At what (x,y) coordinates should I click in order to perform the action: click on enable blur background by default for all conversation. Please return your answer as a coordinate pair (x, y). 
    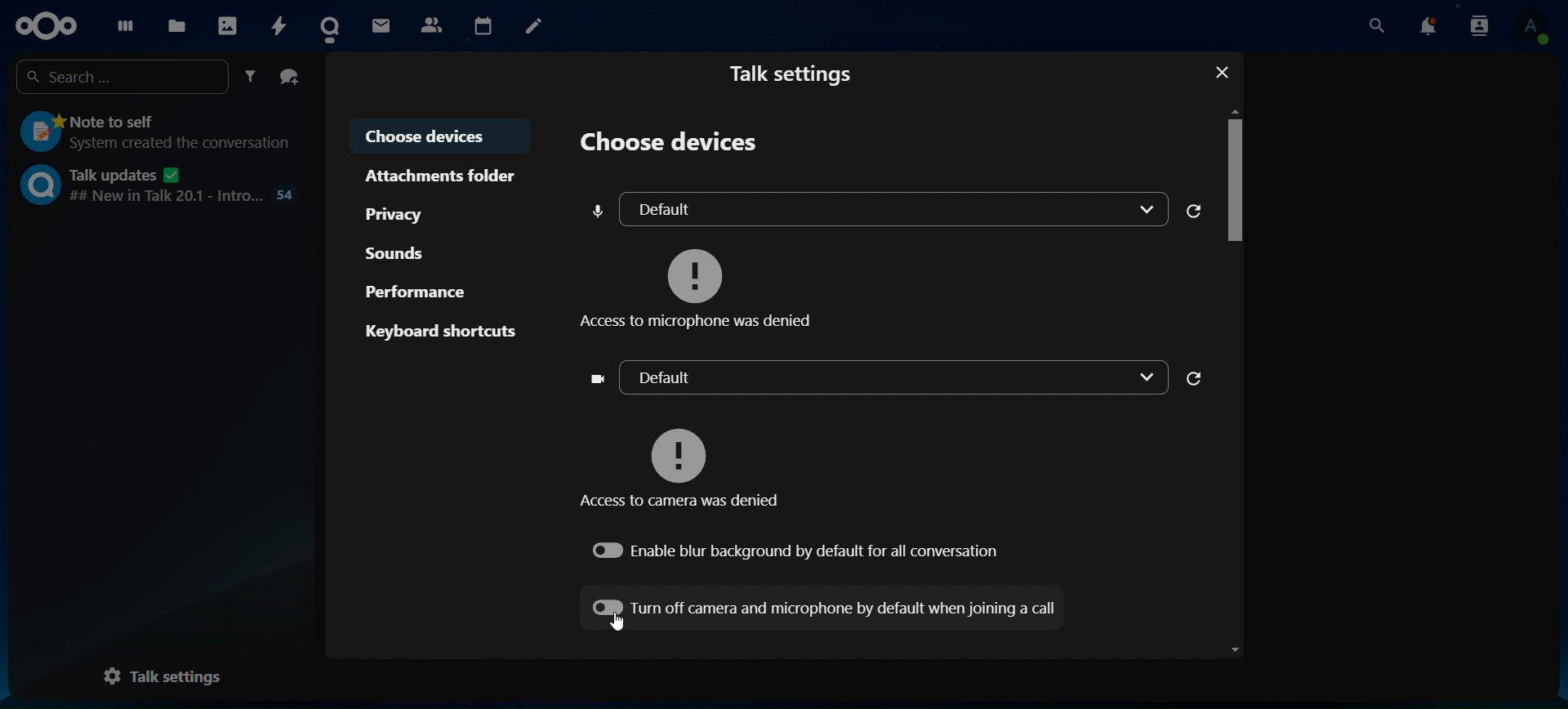
    Looking at the image, I should click on (795, 550).